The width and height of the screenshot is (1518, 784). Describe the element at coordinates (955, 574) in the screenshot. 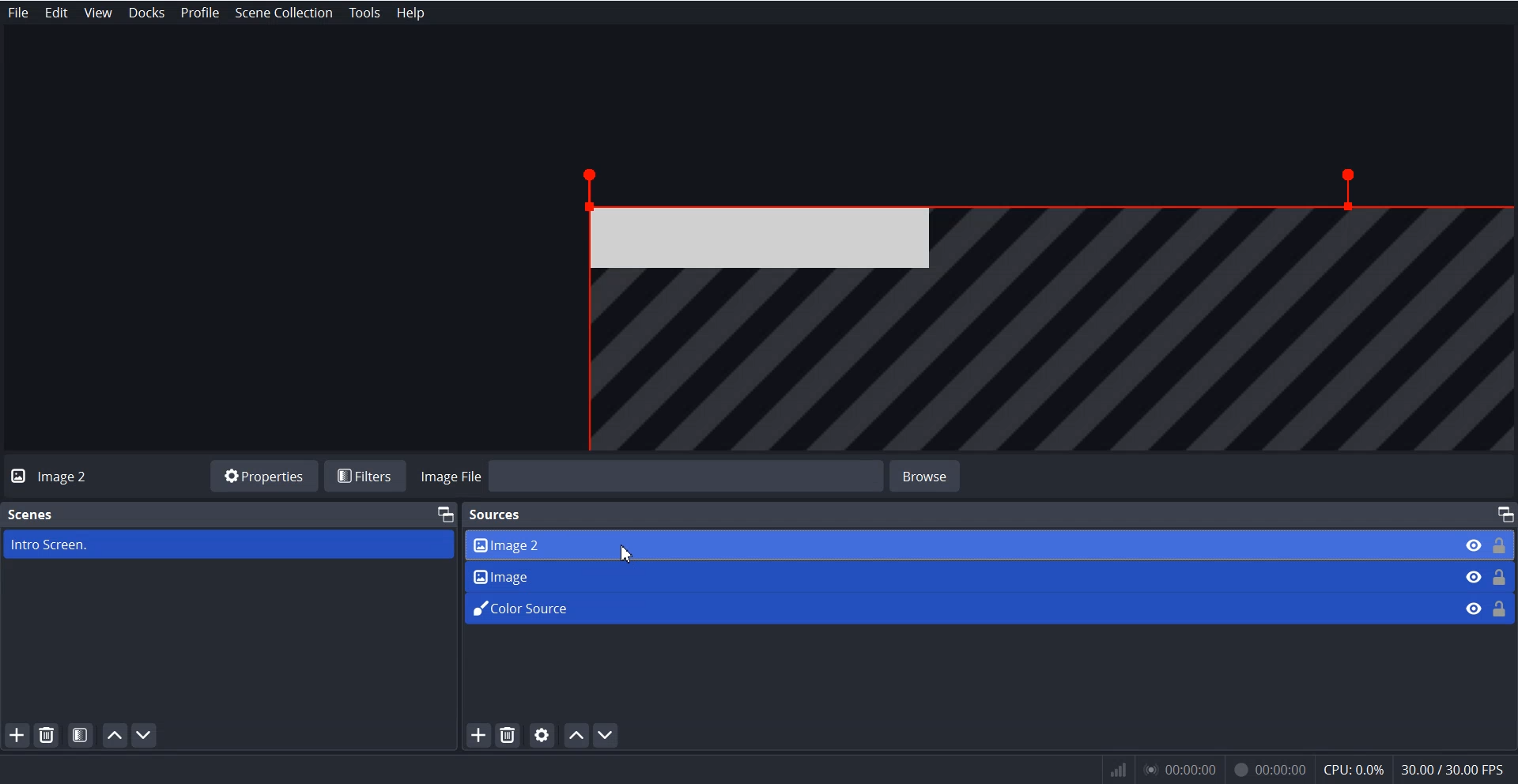

I see `Image` at that location.